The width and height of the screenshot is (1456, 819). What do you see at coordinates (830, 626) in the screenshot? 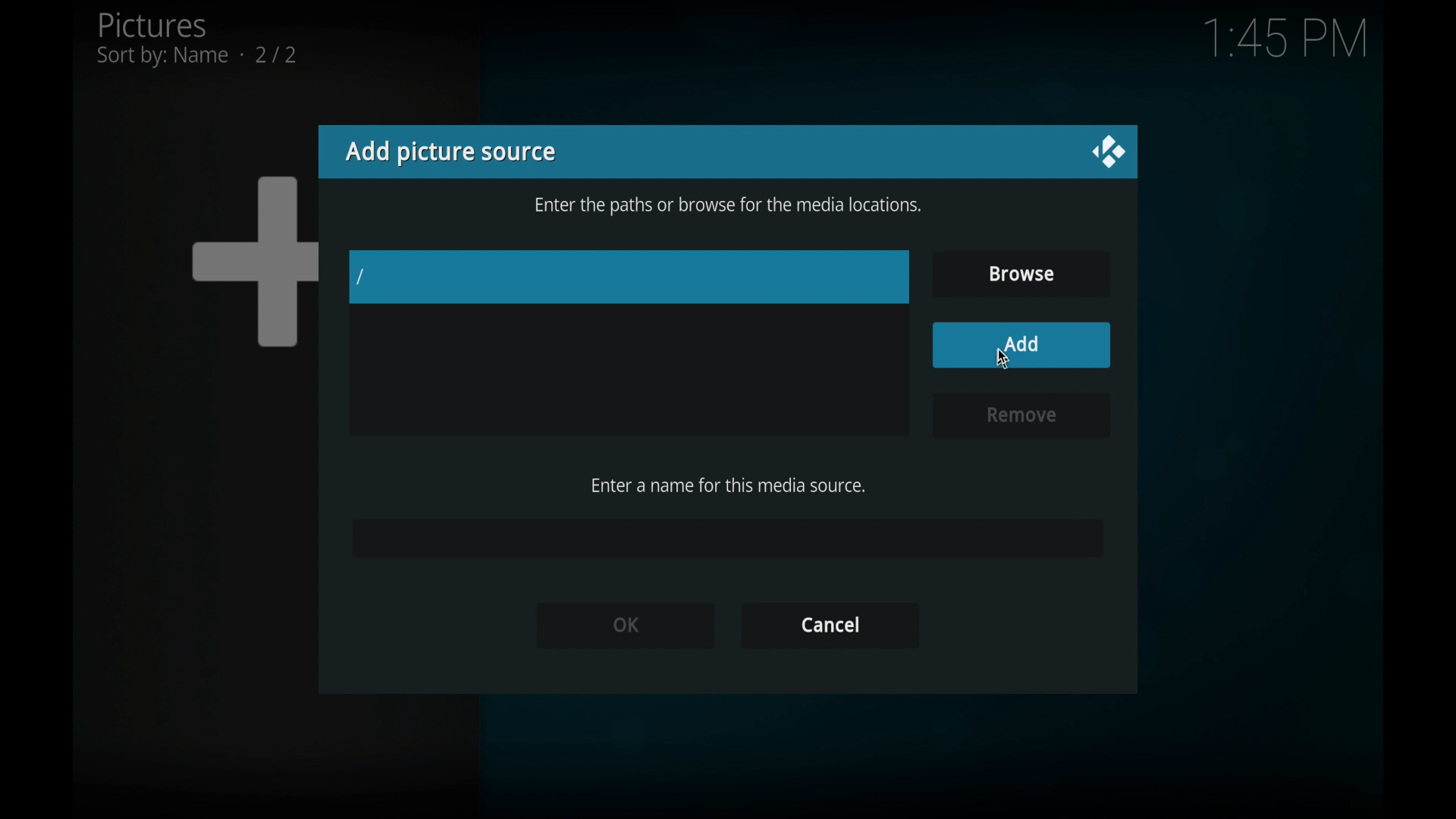
I see `cancel` at bounding box center [830, 626].